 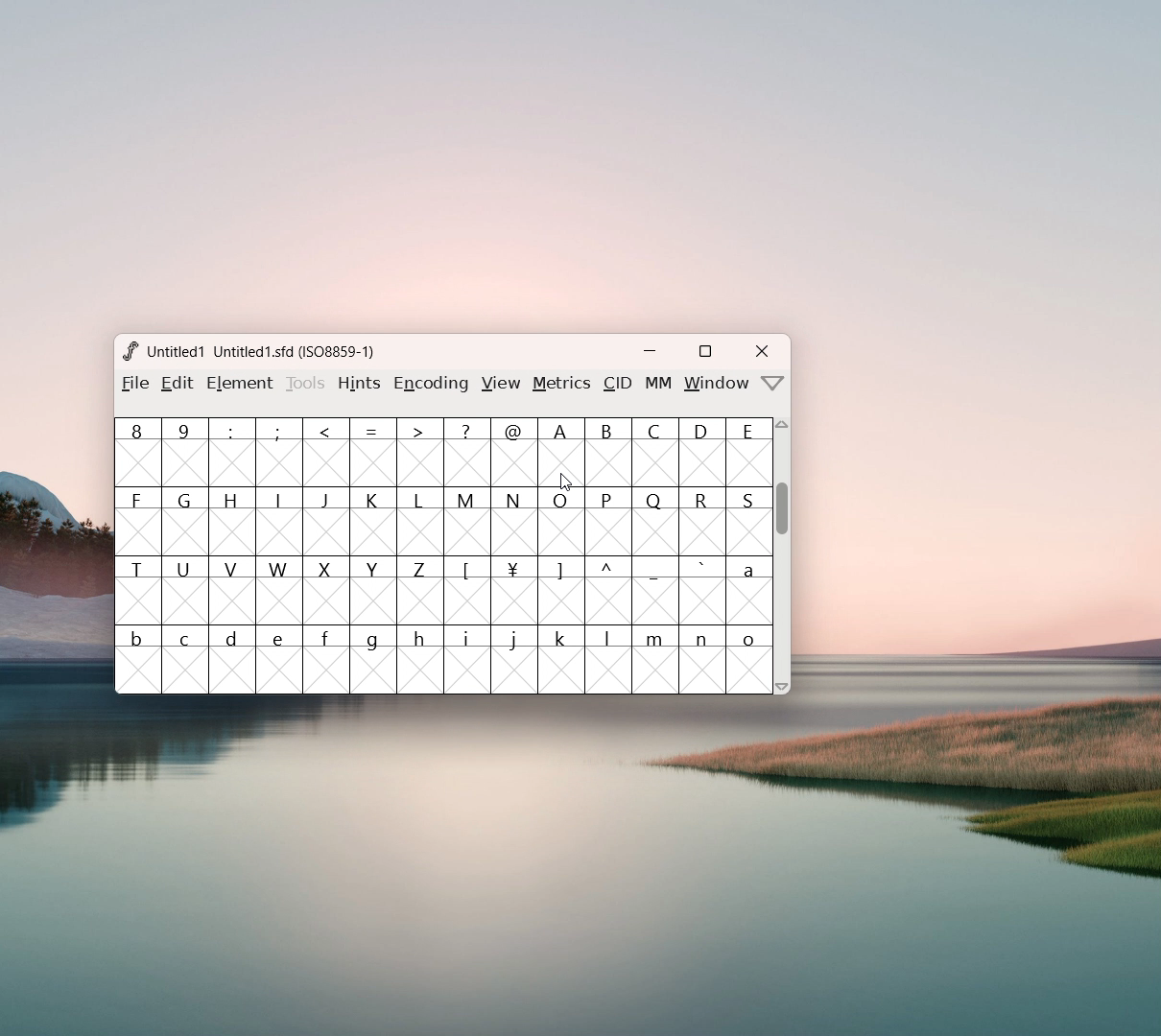 I want to click on cursor, so click(x=567, y=484).